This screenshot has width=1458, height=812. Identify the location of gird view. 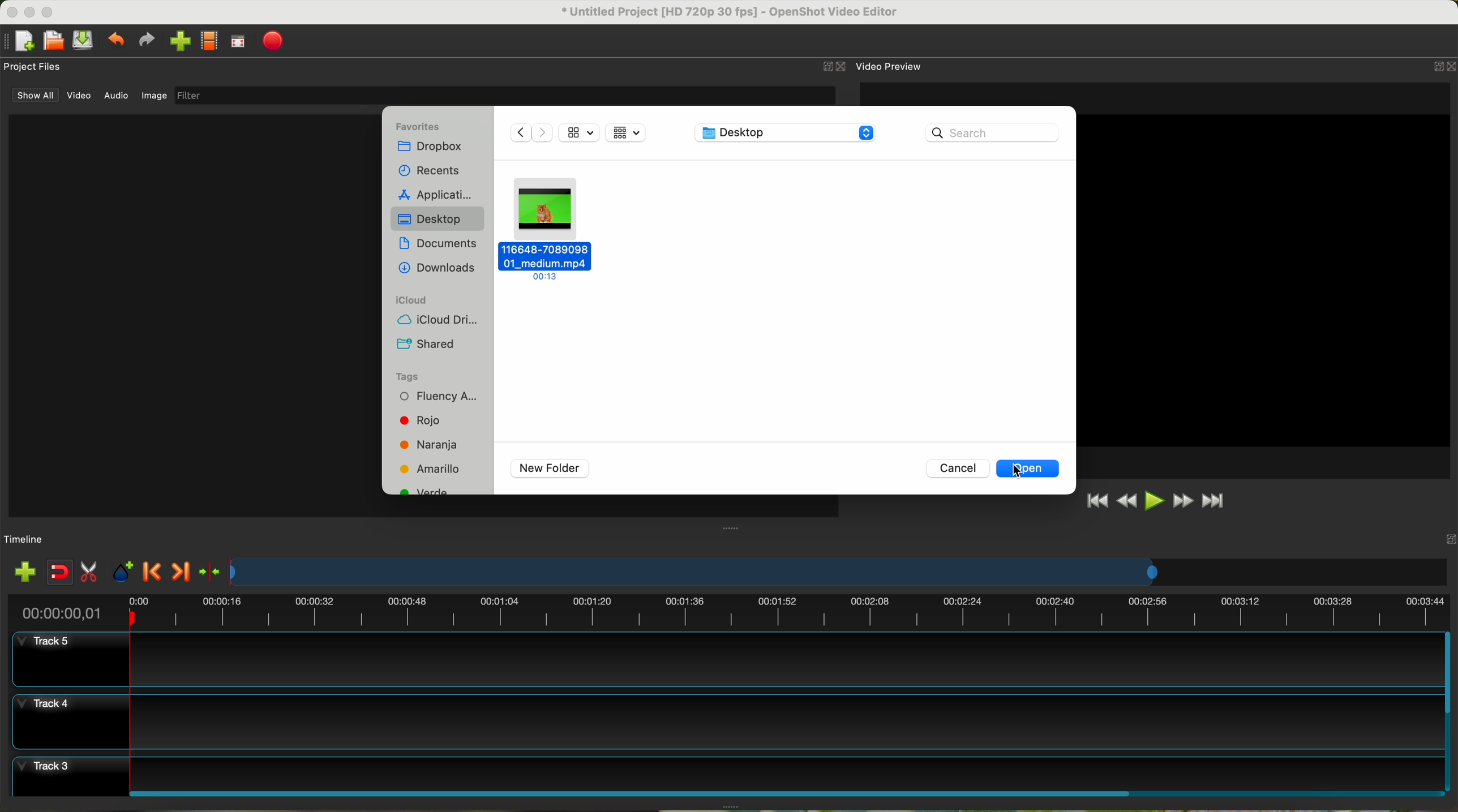
(580, 131).